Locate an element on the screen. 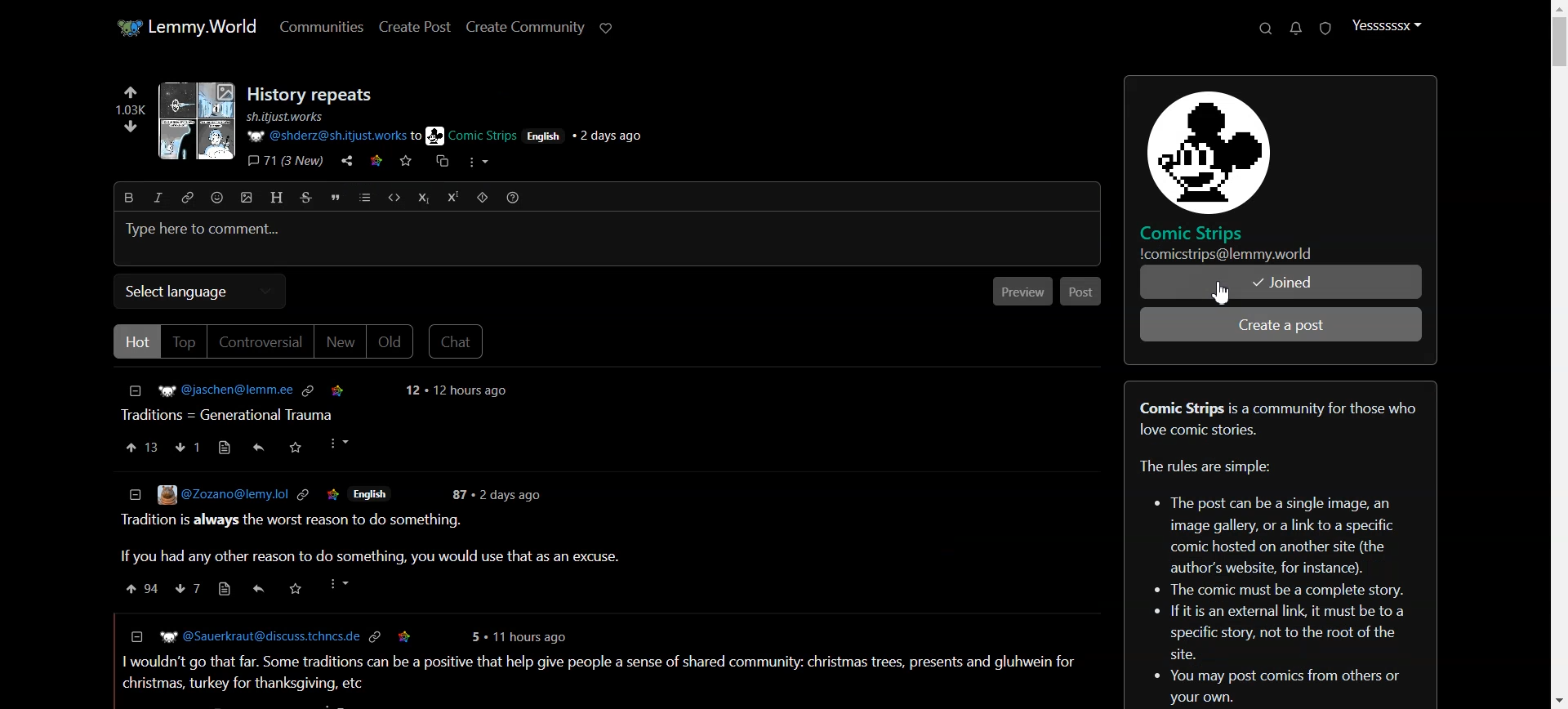  Home page is located at coordinates (185, 28).